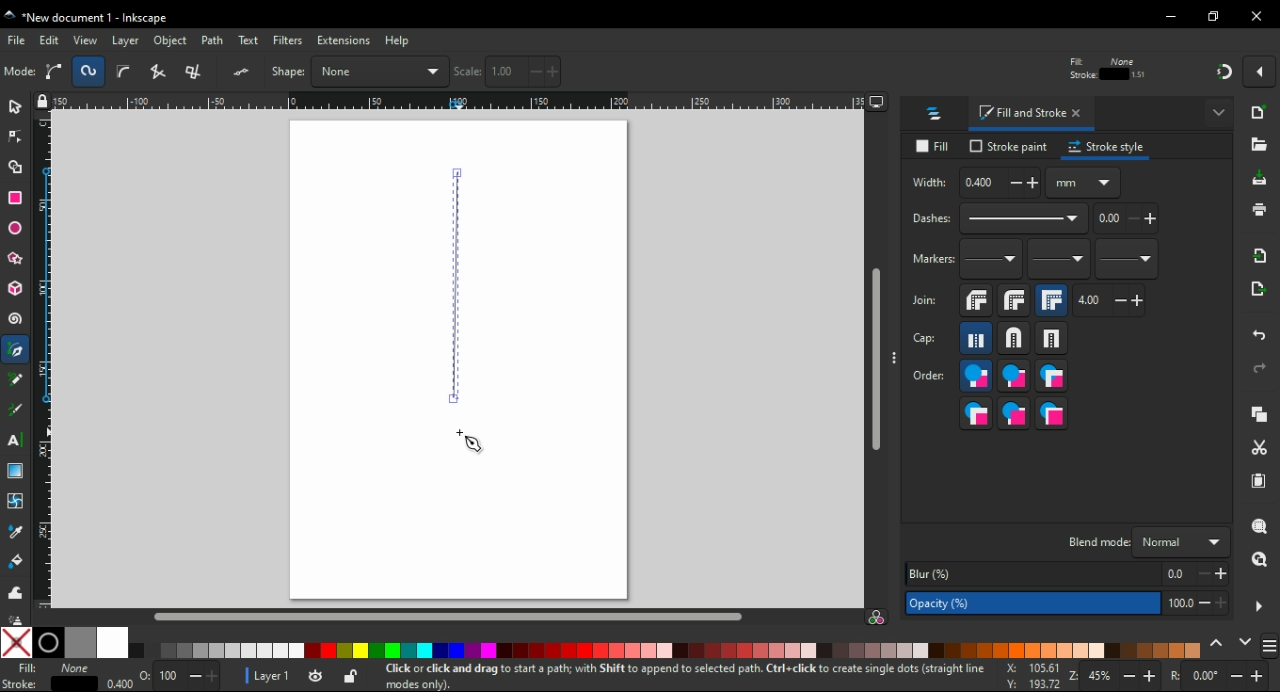  I want to click on Ruler, so click(451, 103).